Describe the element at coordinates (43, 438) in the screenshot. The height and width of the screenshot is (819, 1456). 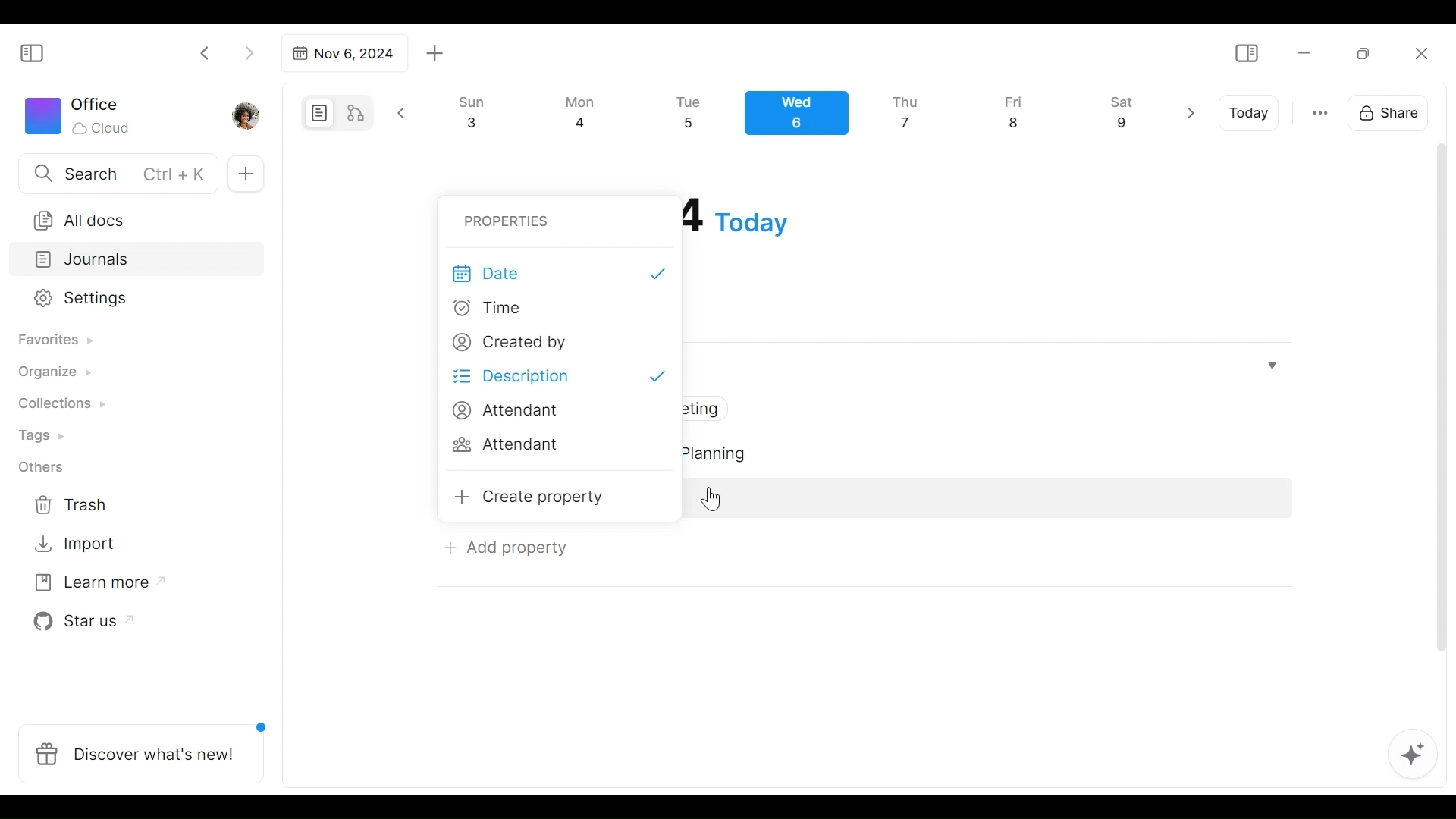
I see `Tags` at that location.